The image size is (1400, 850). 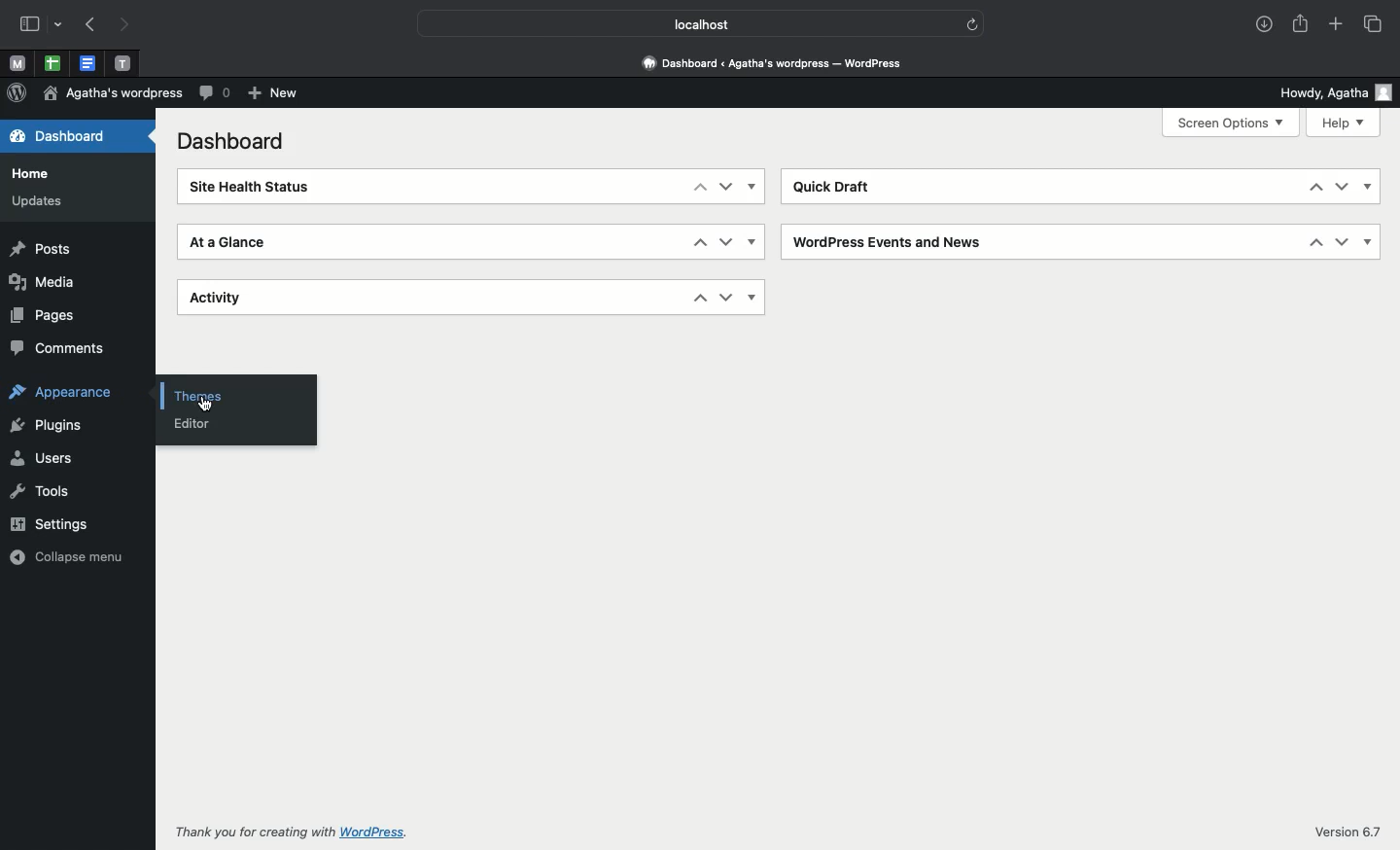 I want to click on Wordpress events and news, so click(x=892, y=242).